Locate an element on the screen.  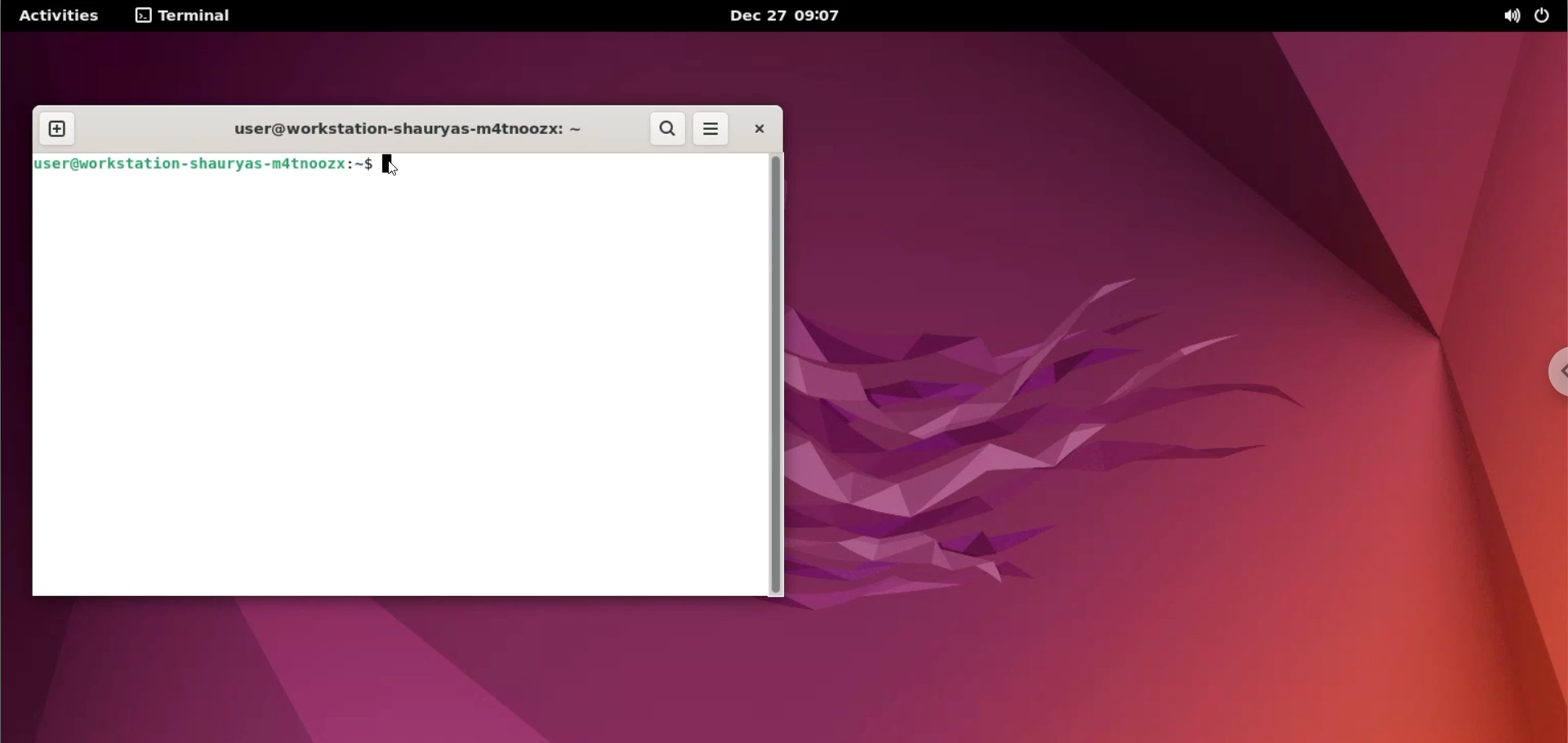
user@workstation-shauryas-m4tnoozx:~ is located at coordinates (401, 128).